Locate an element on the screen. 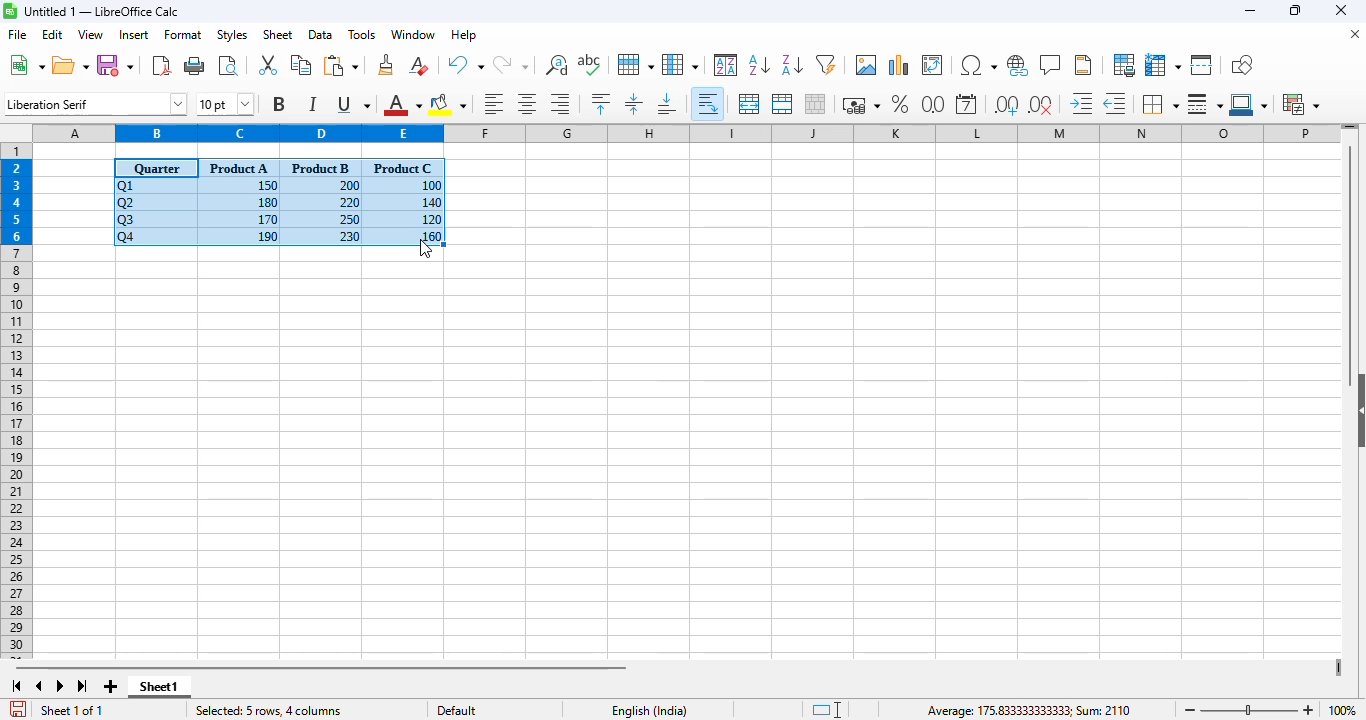 This screenshot has height=720, width=1366. horizontal scroll bar is located at coordinates (320, 667).